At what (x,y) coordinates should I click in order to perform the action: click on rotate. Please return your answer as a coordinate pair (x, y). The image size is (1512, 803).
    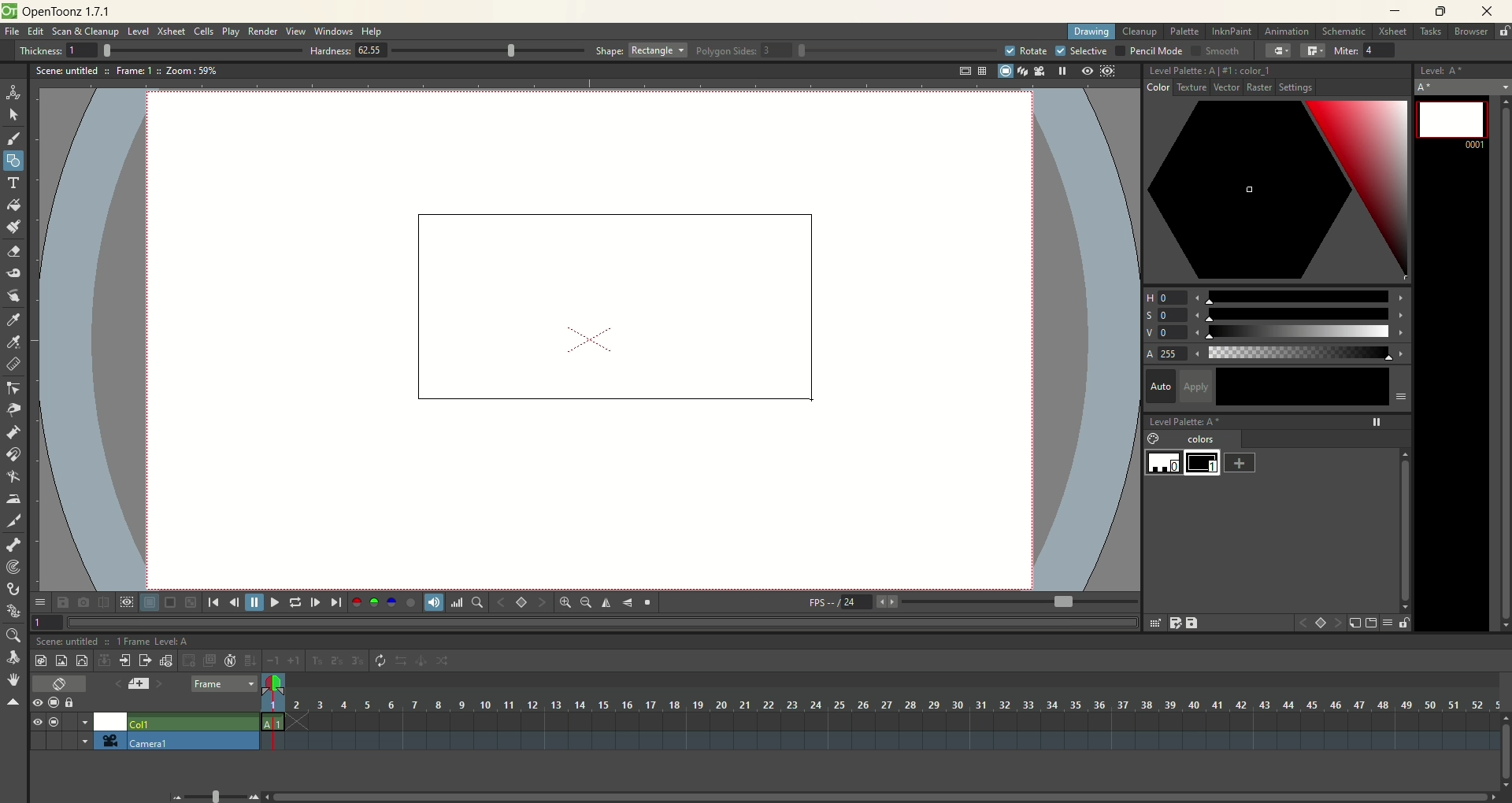
    Looking at the image, I should click on (16, 658).